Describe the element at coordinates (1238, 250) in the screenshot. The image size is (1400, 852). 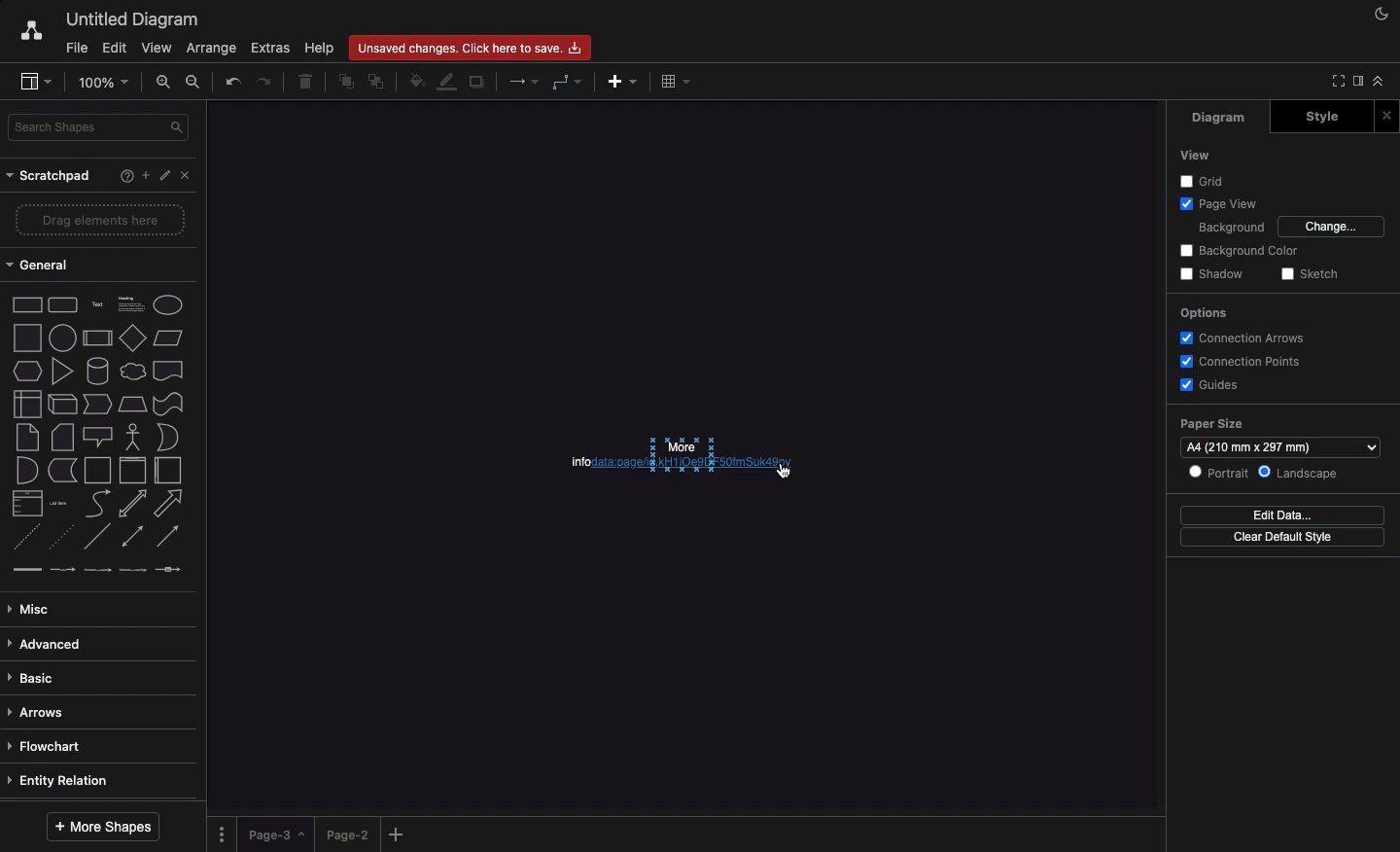
I see `Background color` at that location.